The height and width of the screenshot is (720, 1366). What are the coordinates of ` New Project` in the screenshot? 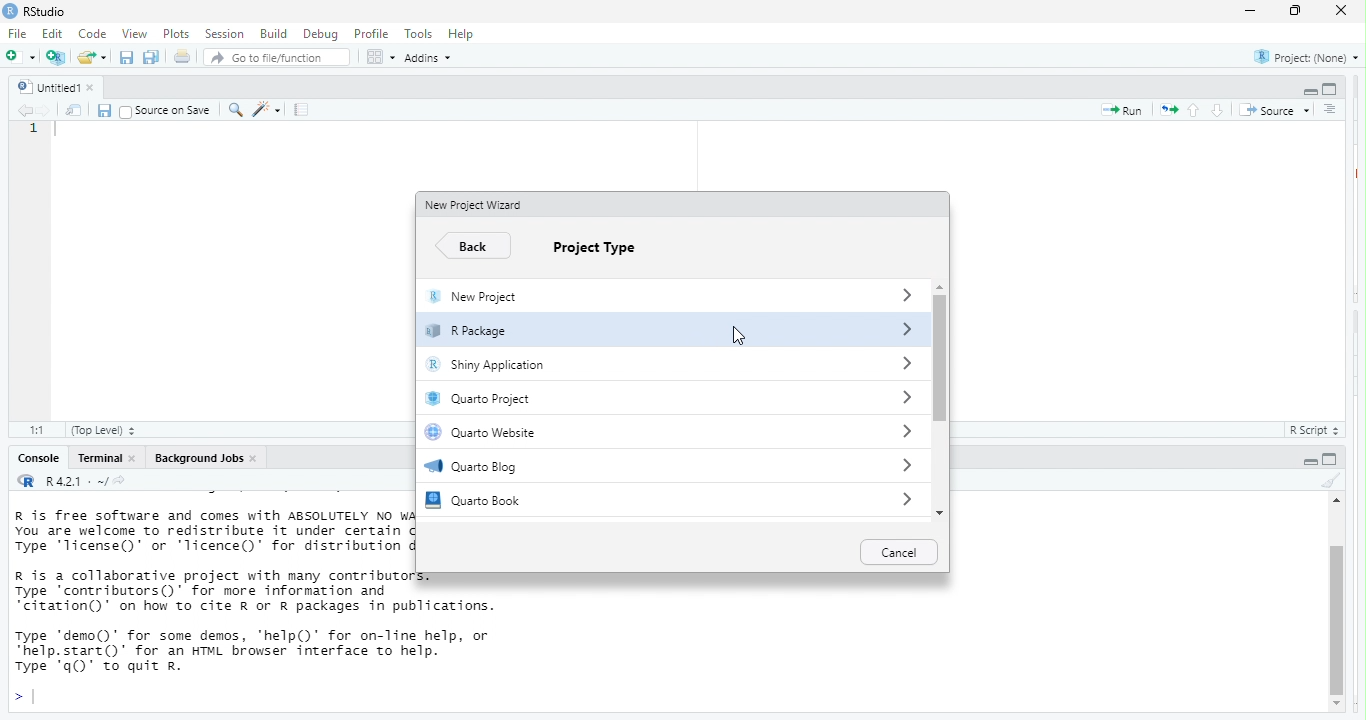 It's located at (630, 299).